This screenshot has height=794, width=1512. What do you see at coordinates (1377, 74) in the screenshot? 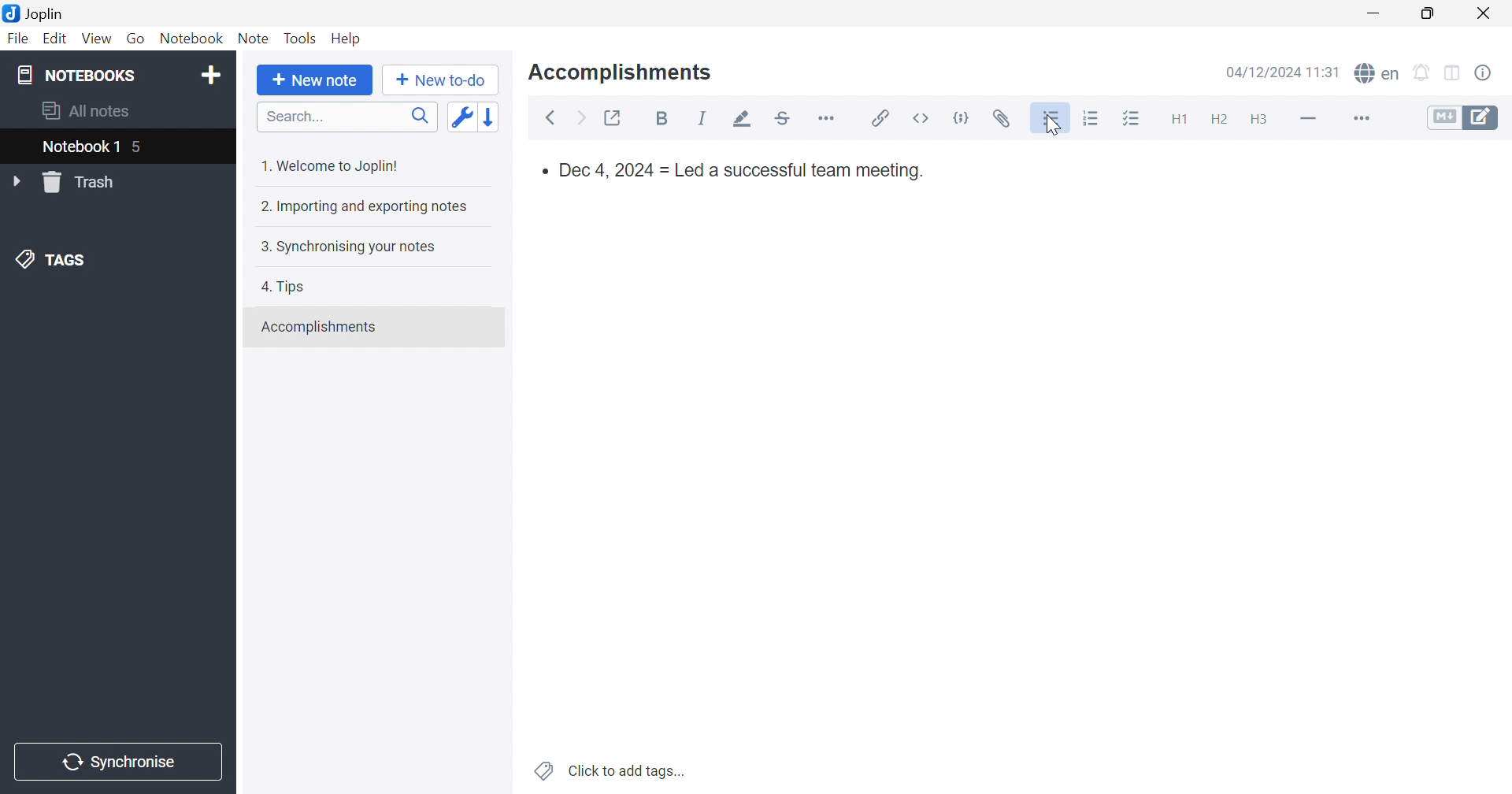
I see `spell checker` at bounding box center [1377, 74].